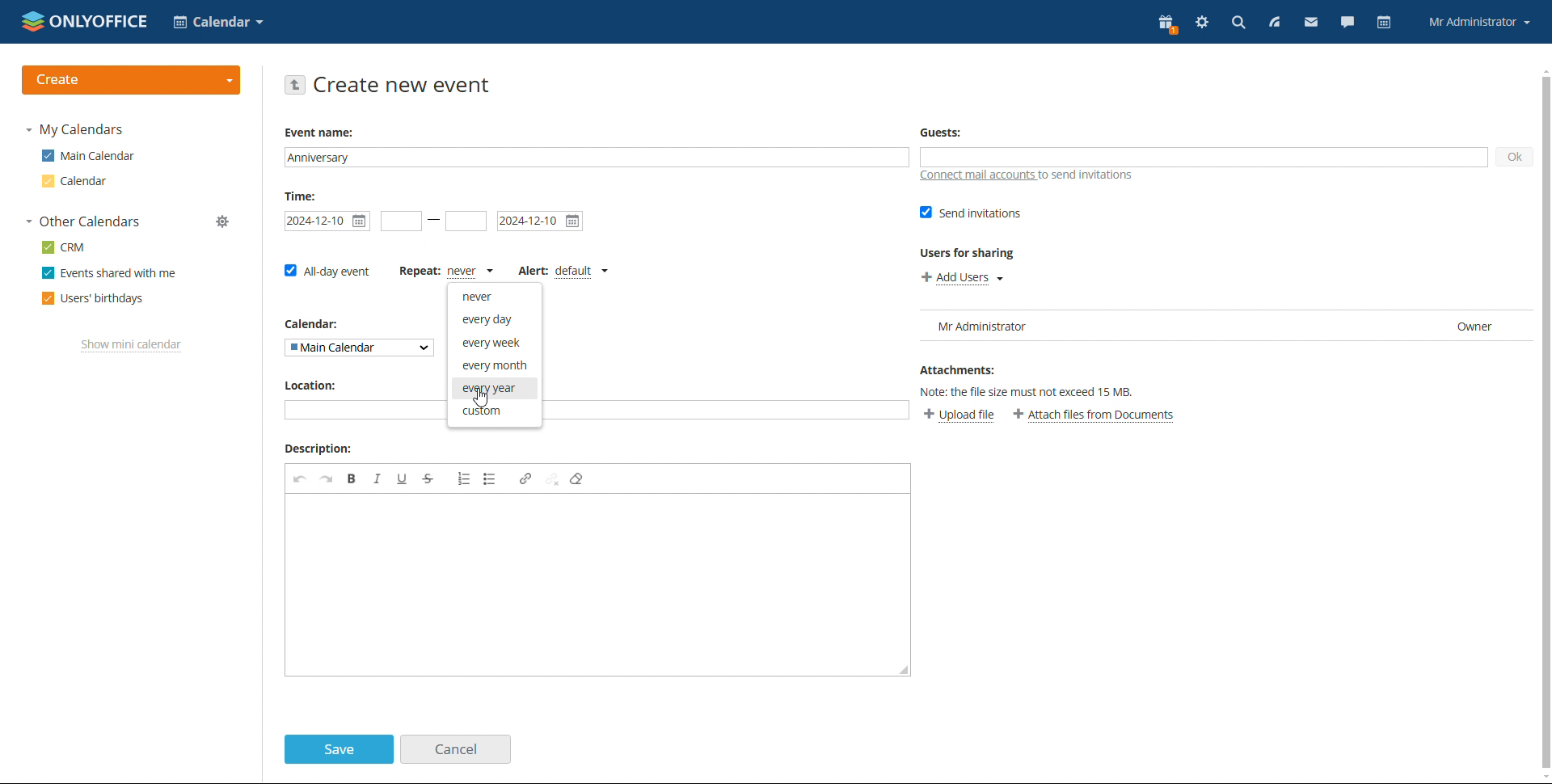 This screenshot has width=1552, height=784. I want to click on upload file, so click(962, 415).